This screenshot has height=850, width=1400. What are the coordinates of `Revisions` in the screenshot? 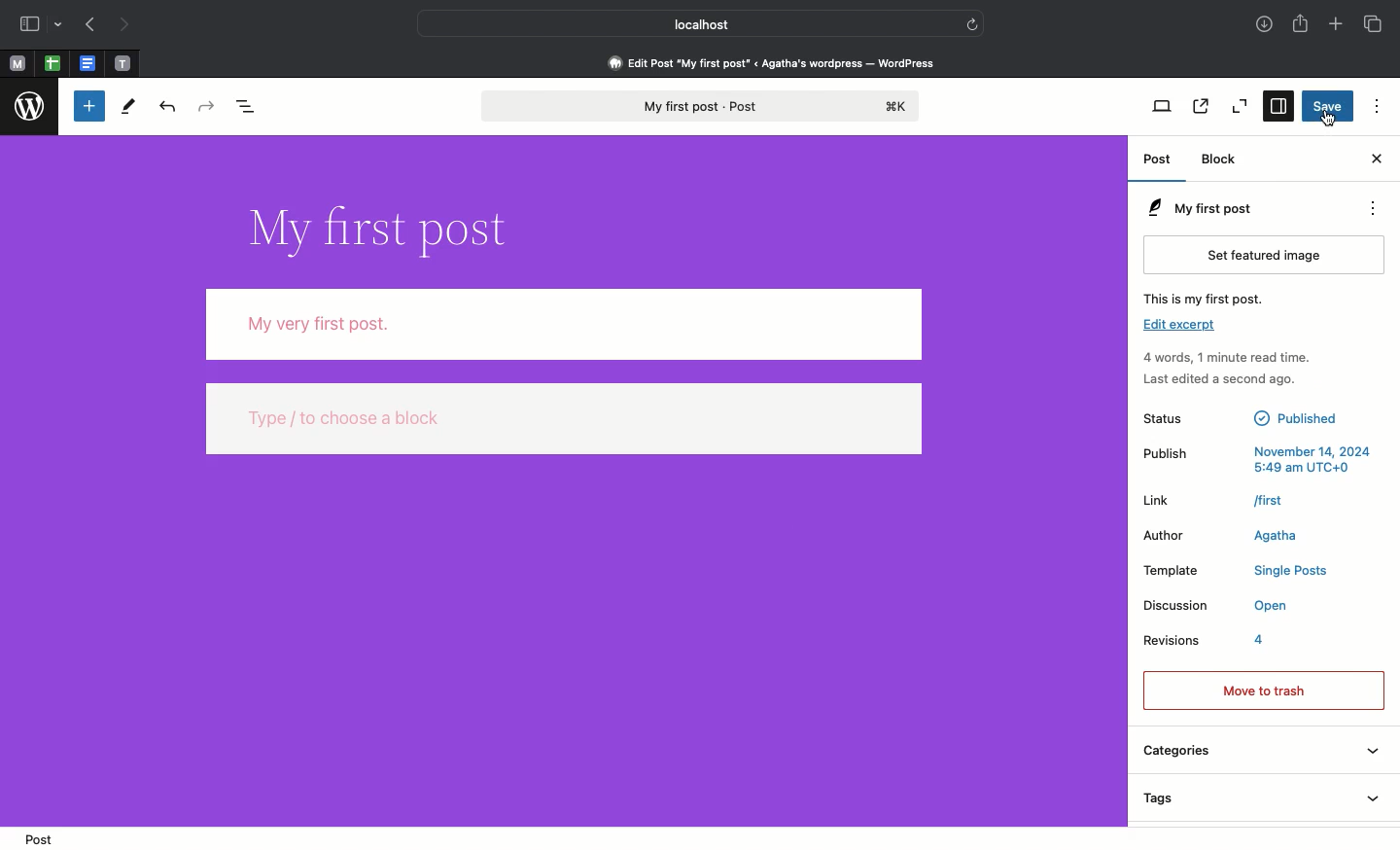 It's located at (1231, 639).